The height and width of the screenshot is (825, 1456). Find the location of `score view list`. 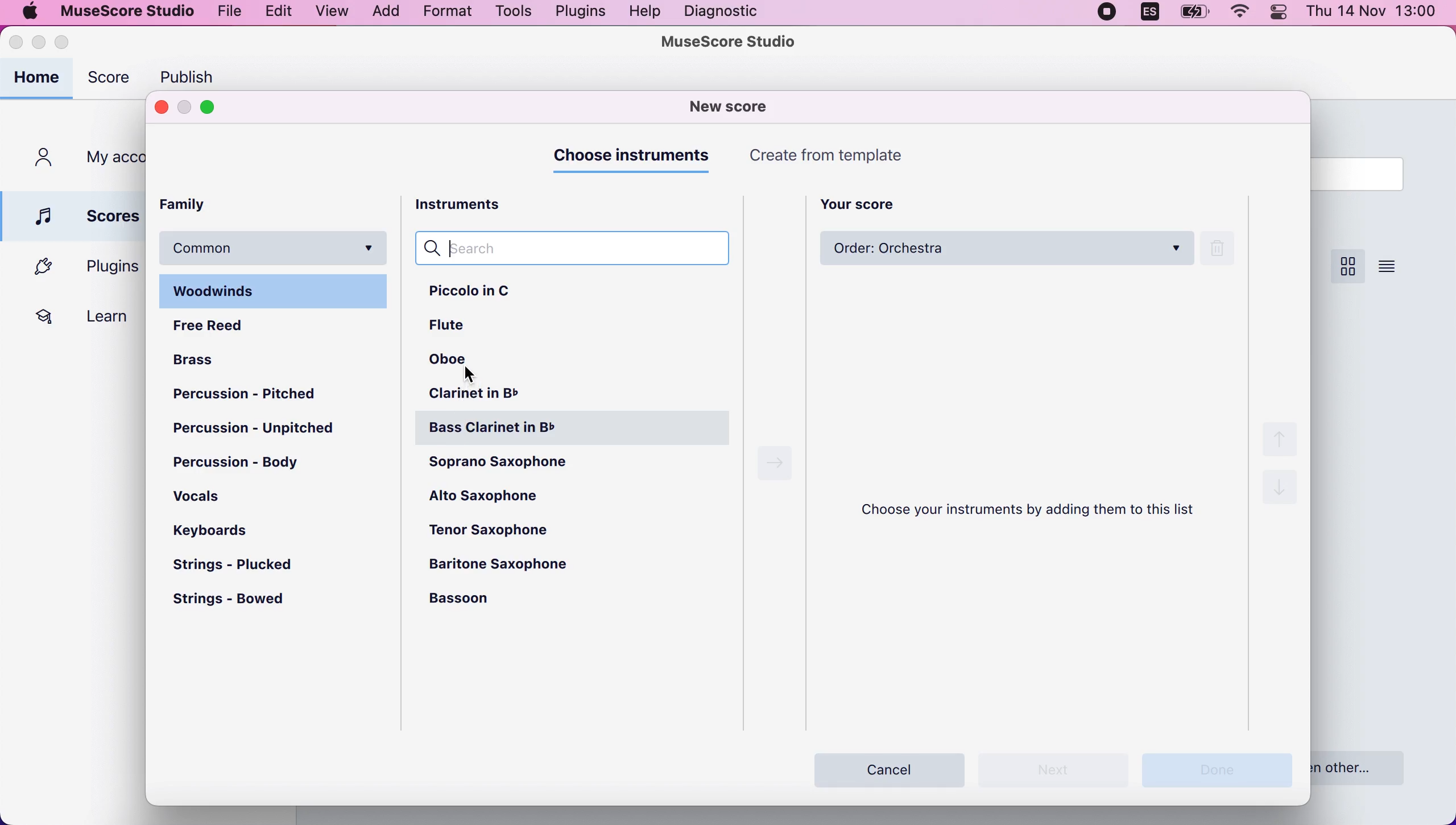

score view list is located at coordinates (1388, 265).